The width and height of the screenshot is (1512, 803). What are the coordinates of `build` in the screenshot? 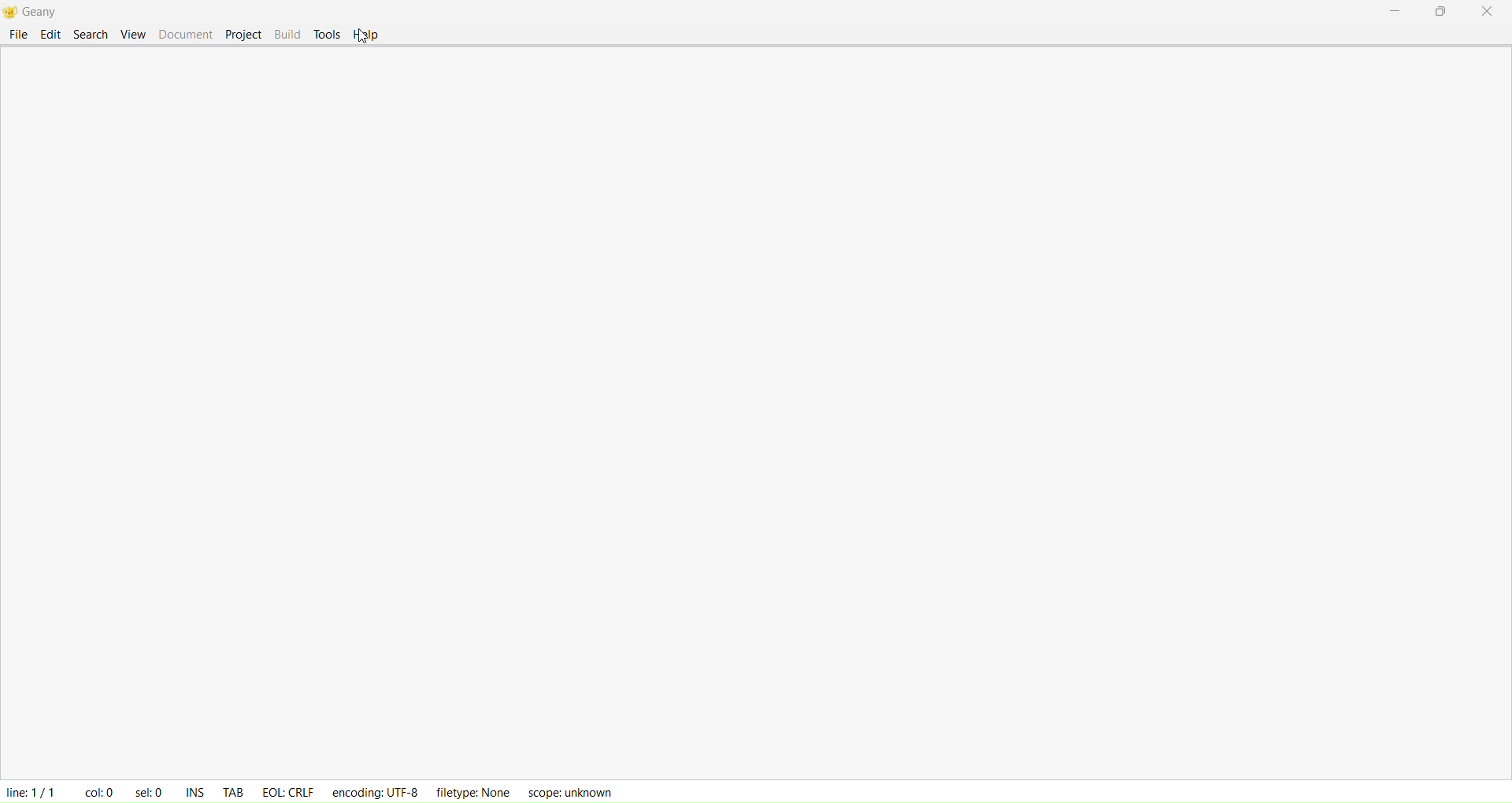 It's located at (285, 34).